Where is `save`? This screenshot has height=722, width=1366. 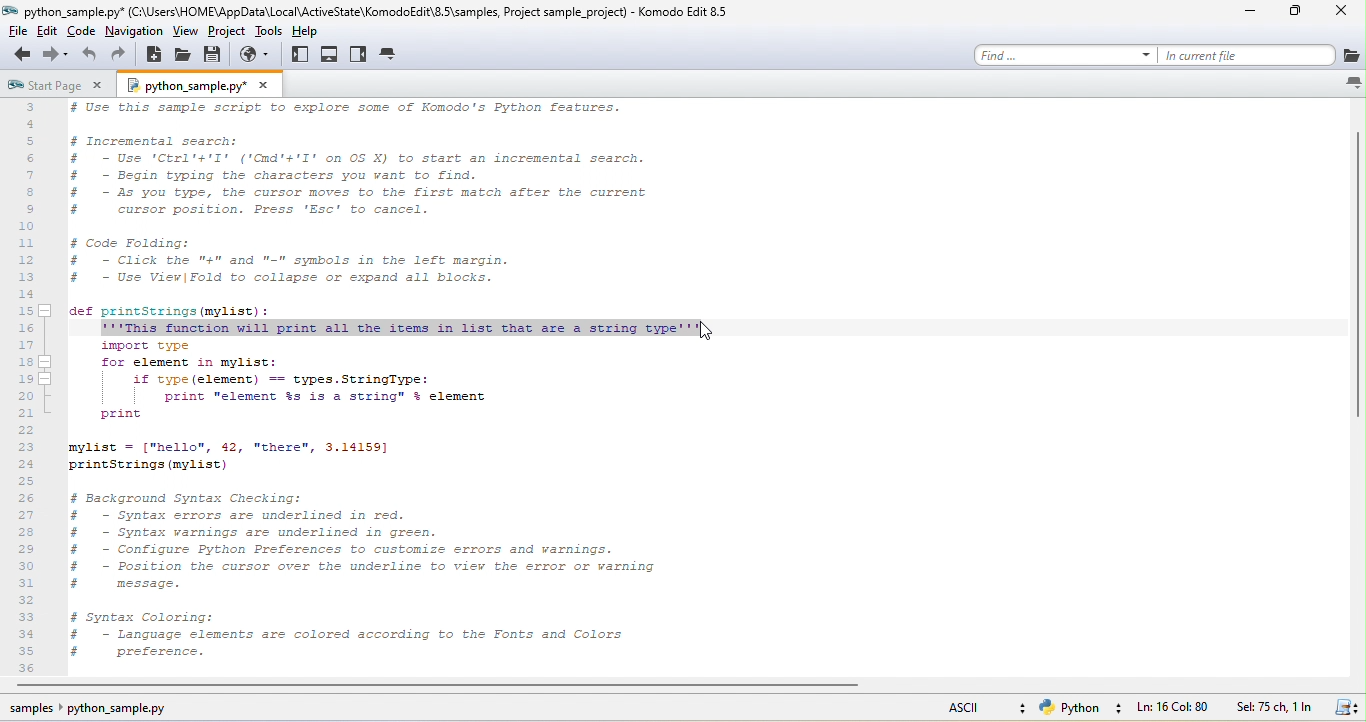
save is located at coordinates (217, 55).